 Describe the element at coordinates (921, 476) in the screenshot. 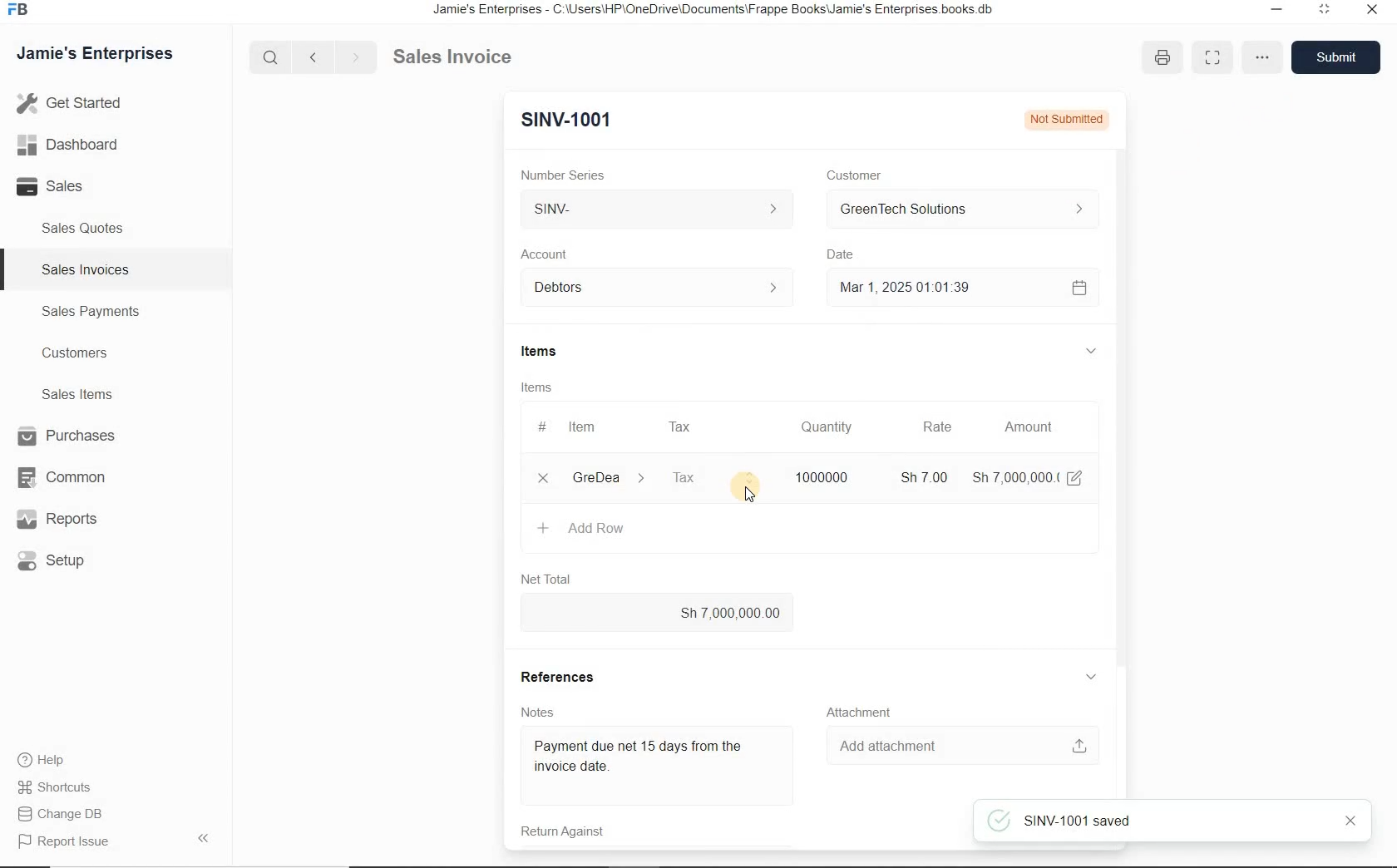

I see `Sh 7.00` at that location.